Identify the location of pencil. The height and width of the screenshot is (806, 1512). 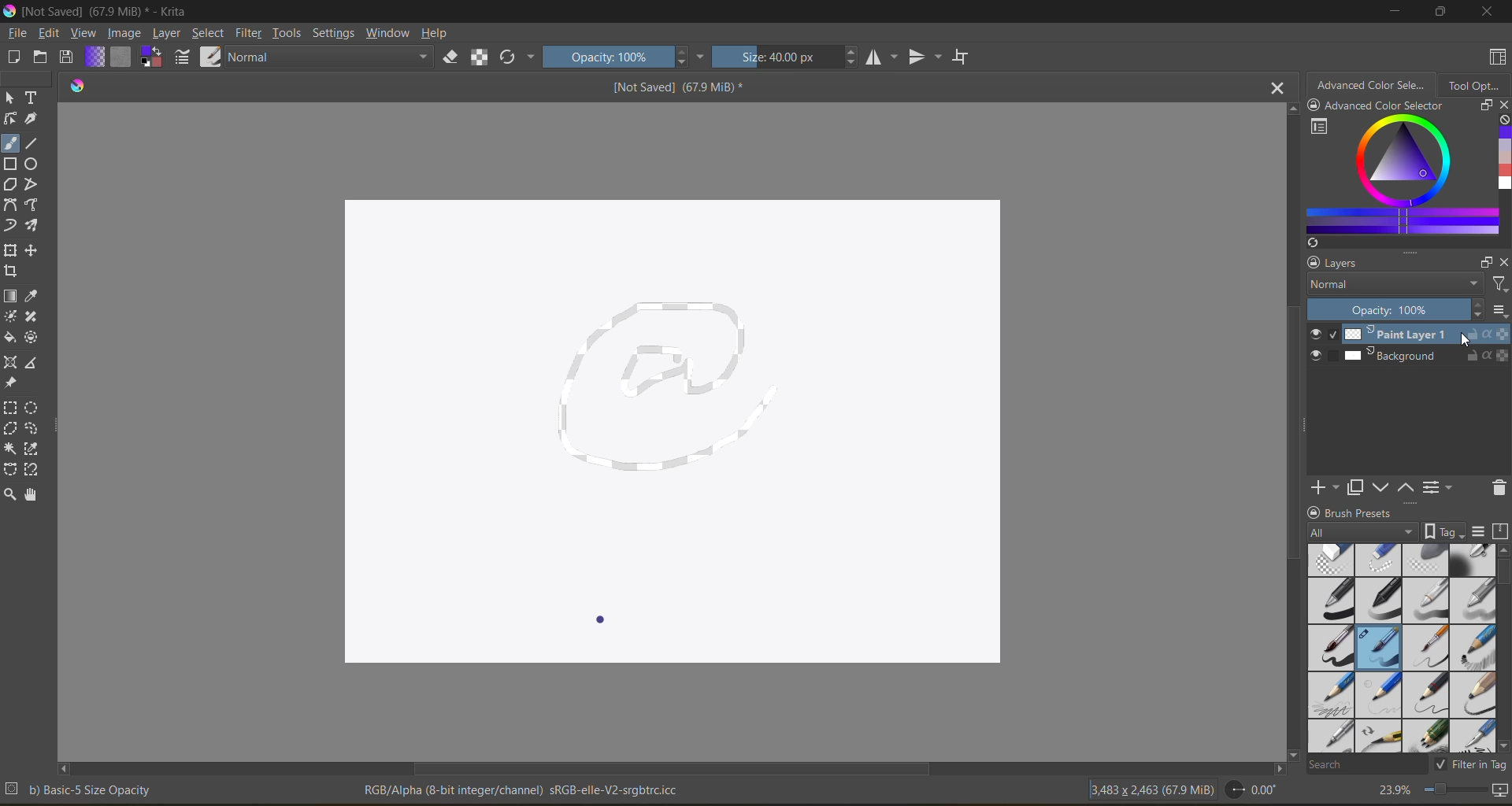
(1379, 736).